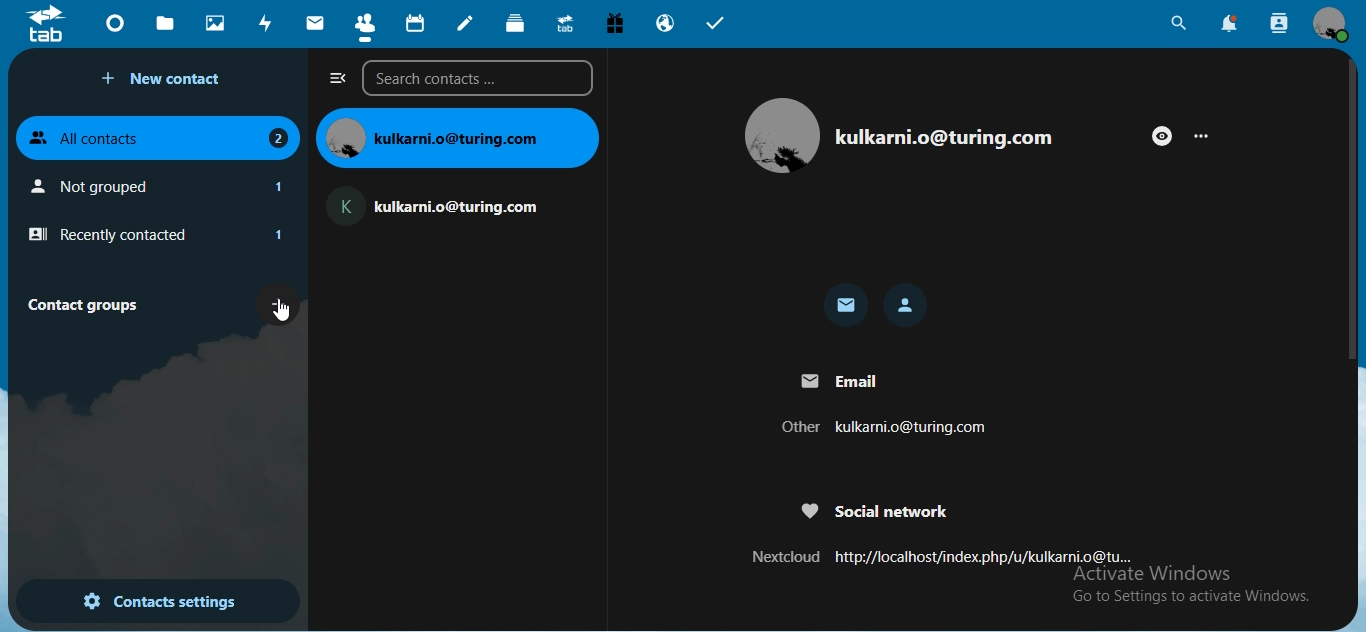 The height and width of the screenshot is (632, 1366). I want to click on files, so click(165, 22).